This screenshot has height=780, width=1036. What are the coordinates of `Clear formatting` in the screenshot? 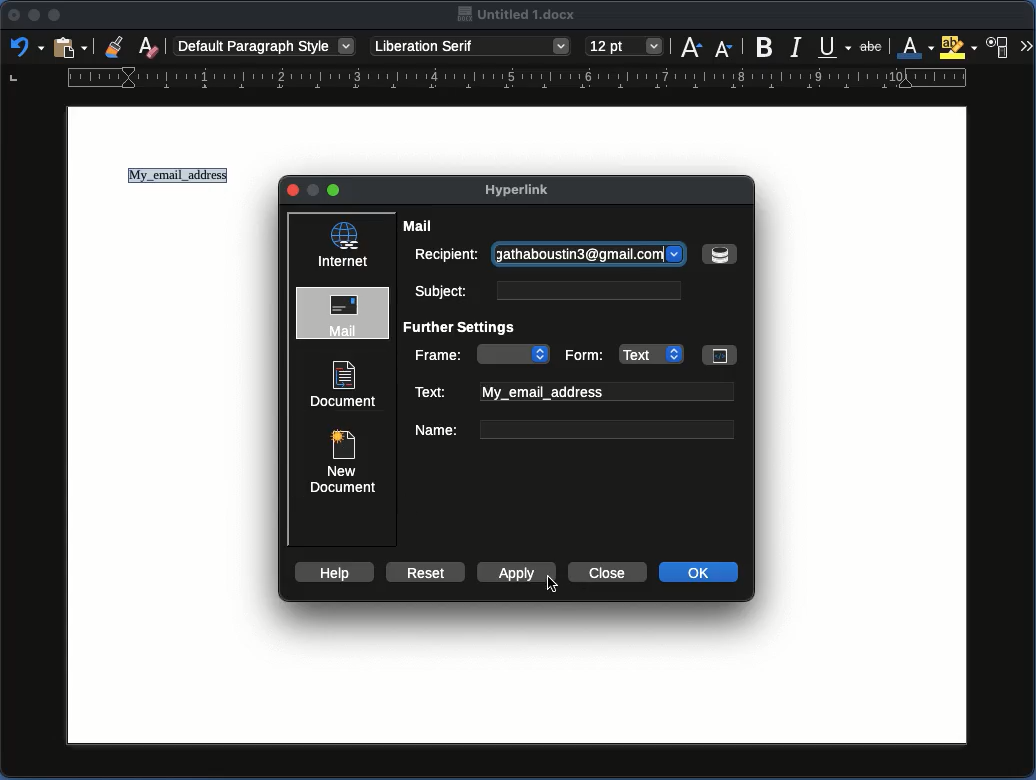 It's located at (150, 45).